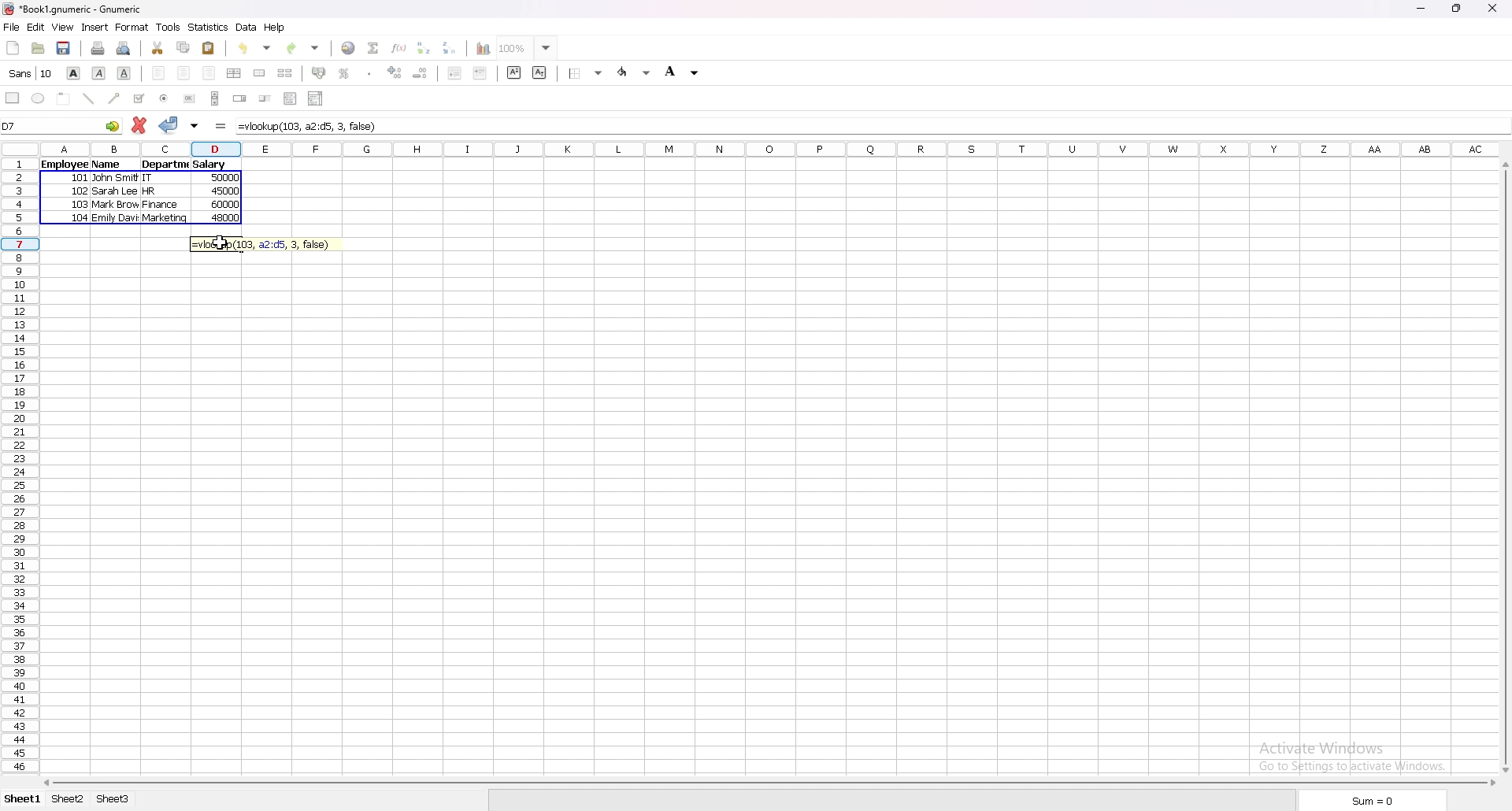 Image resolution: width=1512 pixels, height=811 pixels. What do you see at coordinates (61, 165) in the screenshot?
I see `employee` at bounding box center [61, 165].